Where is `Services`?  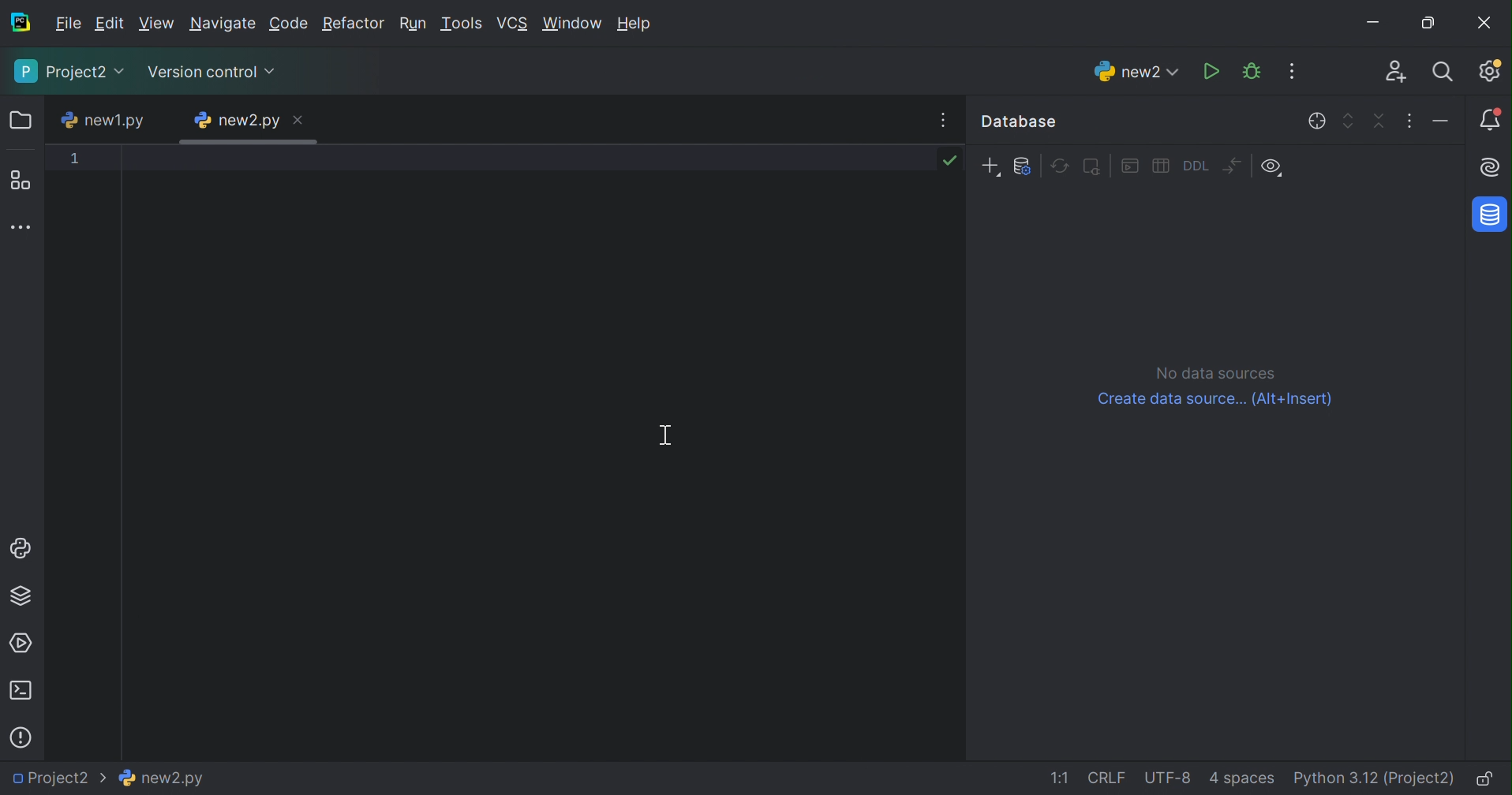
Services is located at coordinates (21, 645).